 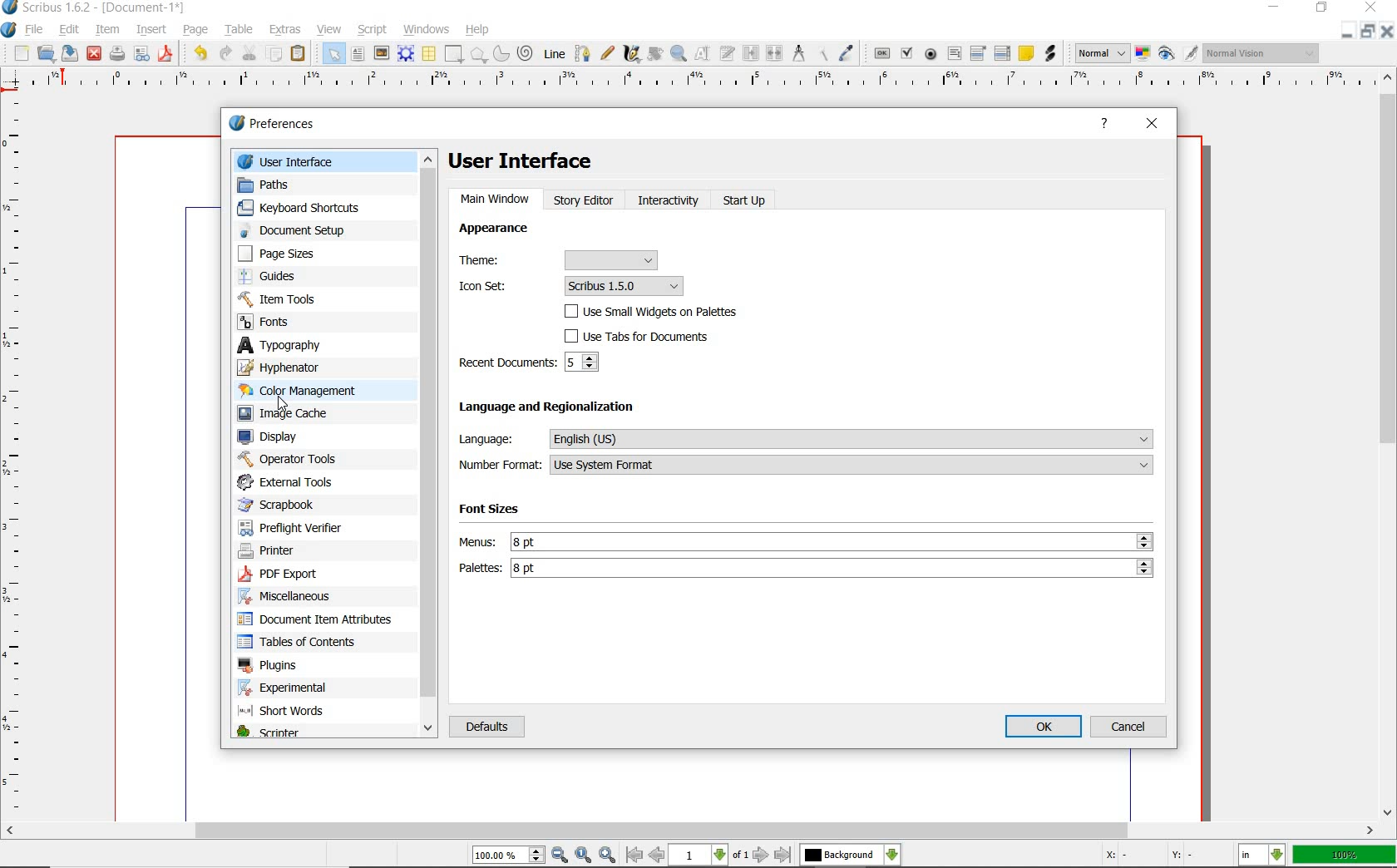 What do you see at coordinates (1143, 52) in the screenshot?
I see `toggle color management` at bounding box center [1143, 52].